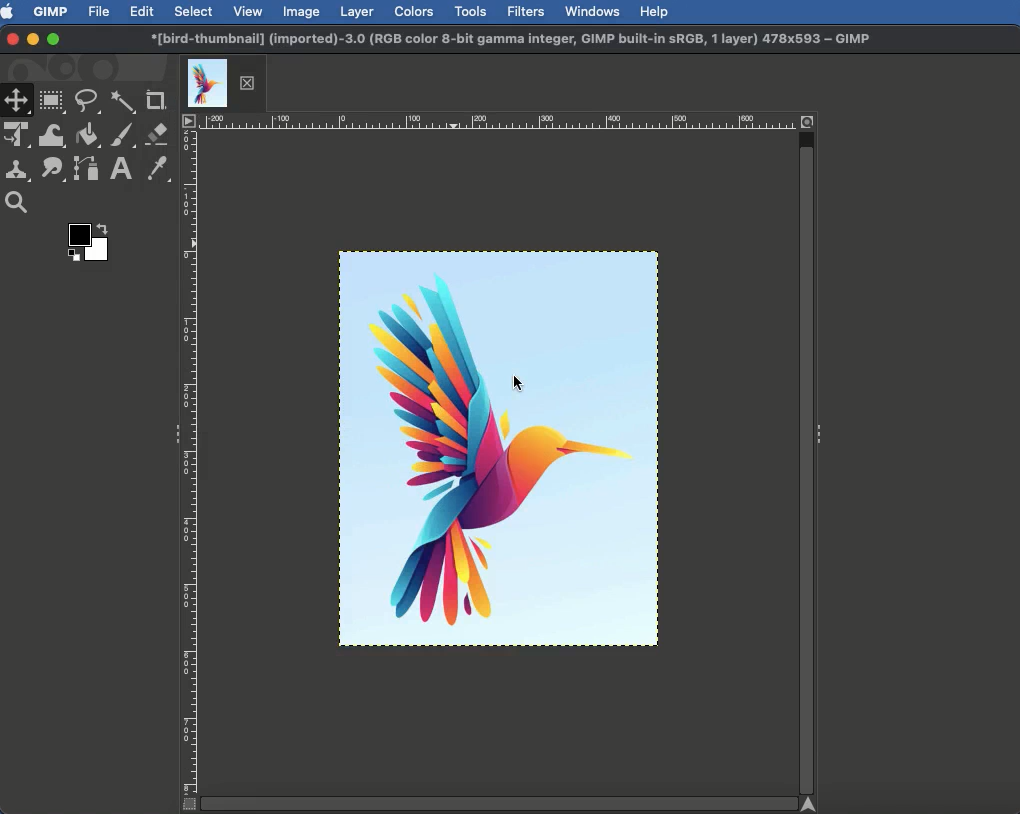 This screenshot has height=814, width=1020. What do you see at coordinates (511, 36) in the screenshot?
I see `*[bird-thumbnail] (imported)-3.0 (RGB color 8-bit gamma integer. GIMP built-in SRGB. 1 layer) 720x893 ~ GIMP` at bounding box center [511, 36].